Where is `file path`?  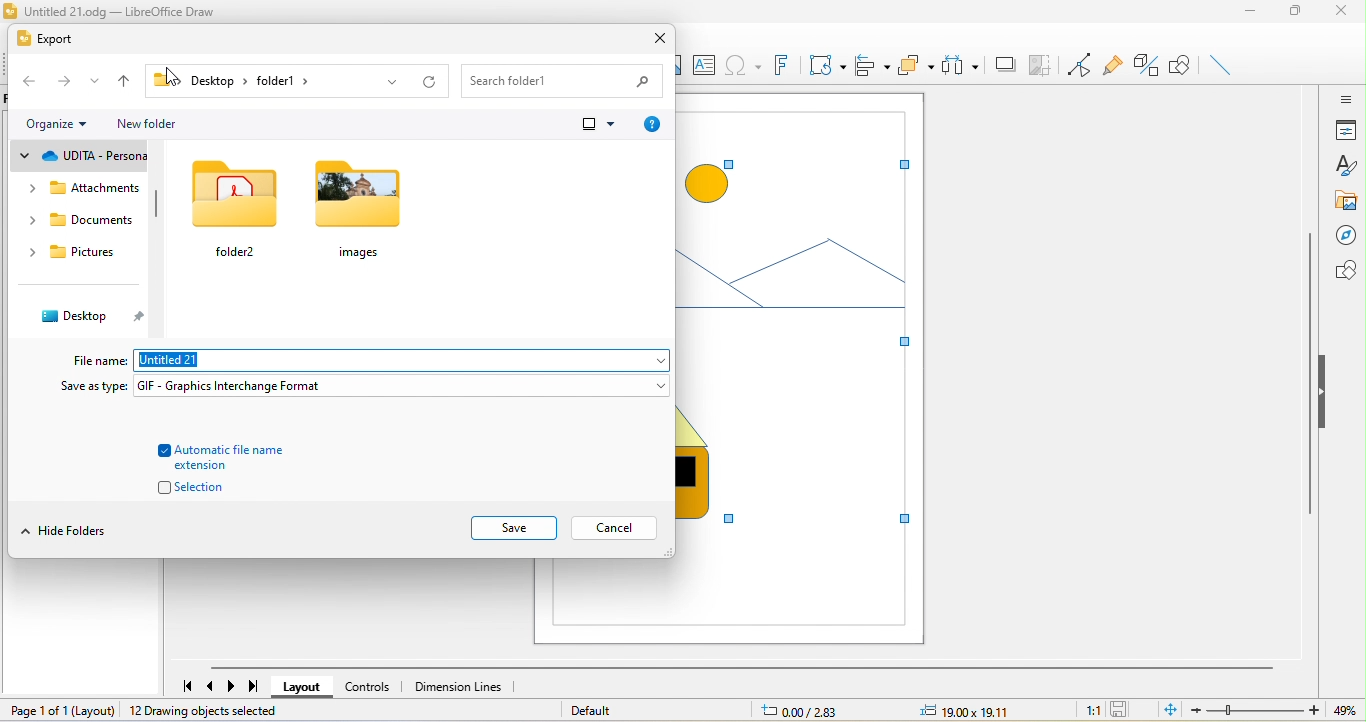 file path is located at coordinates (260, 81).